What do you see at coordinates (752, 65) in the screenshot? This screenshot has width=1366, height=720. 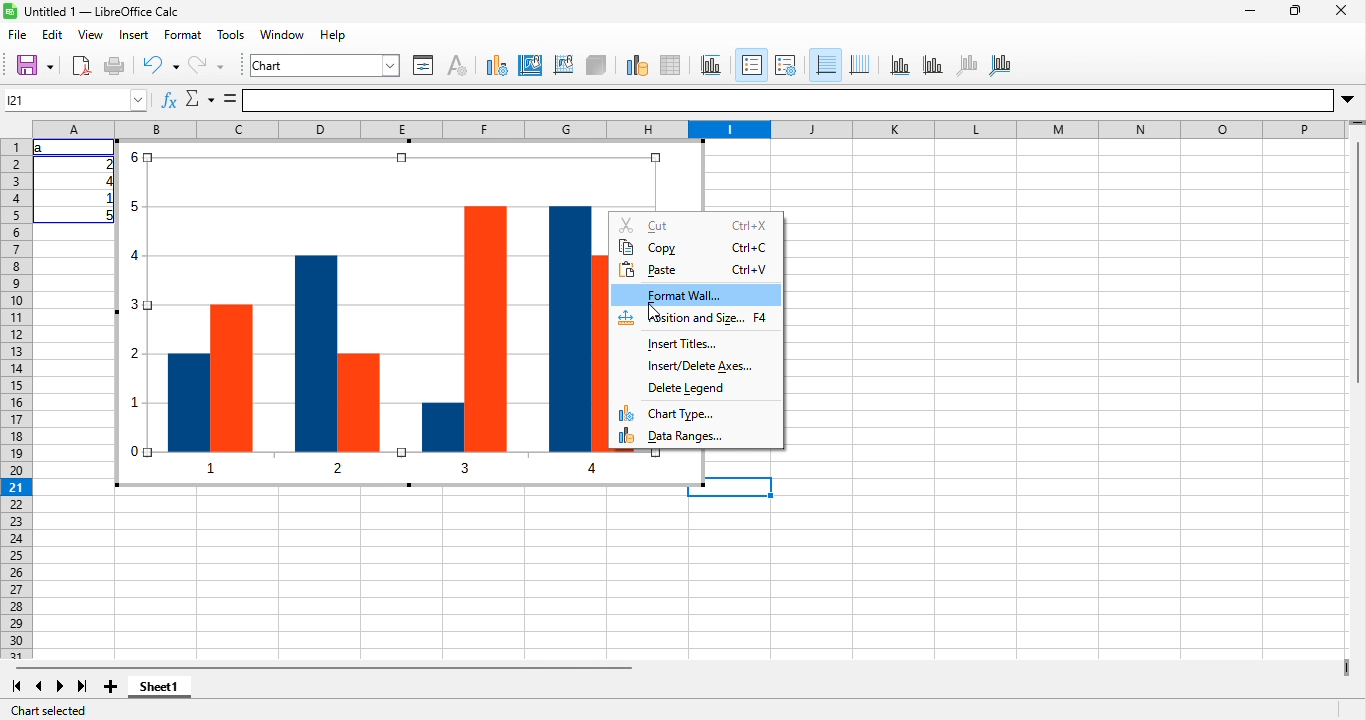 I see `legend on/off` at bounding box center [752, 65].